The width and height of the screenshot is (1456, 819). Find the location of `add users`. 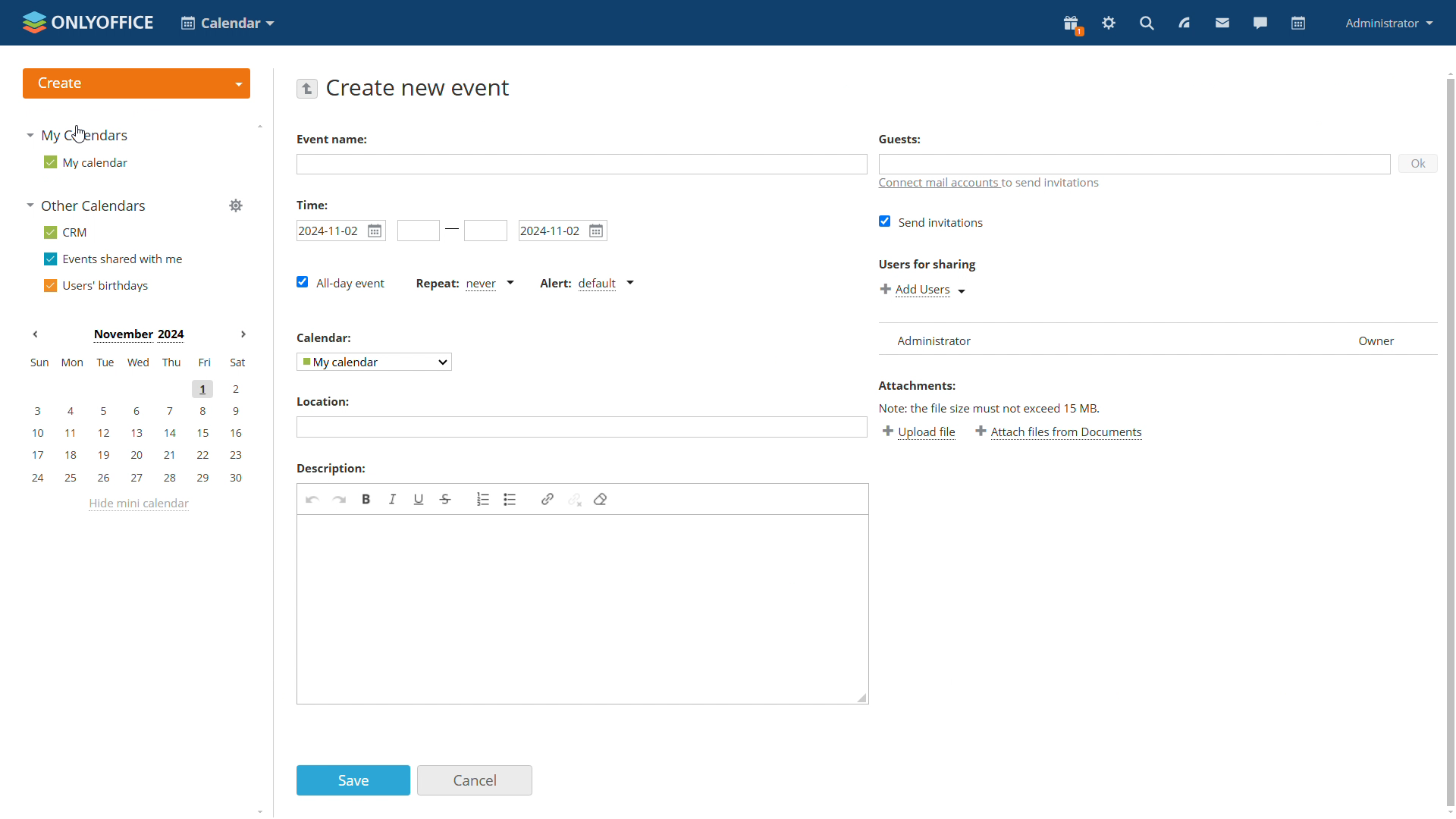

add users is located at coordinates (922, 288).